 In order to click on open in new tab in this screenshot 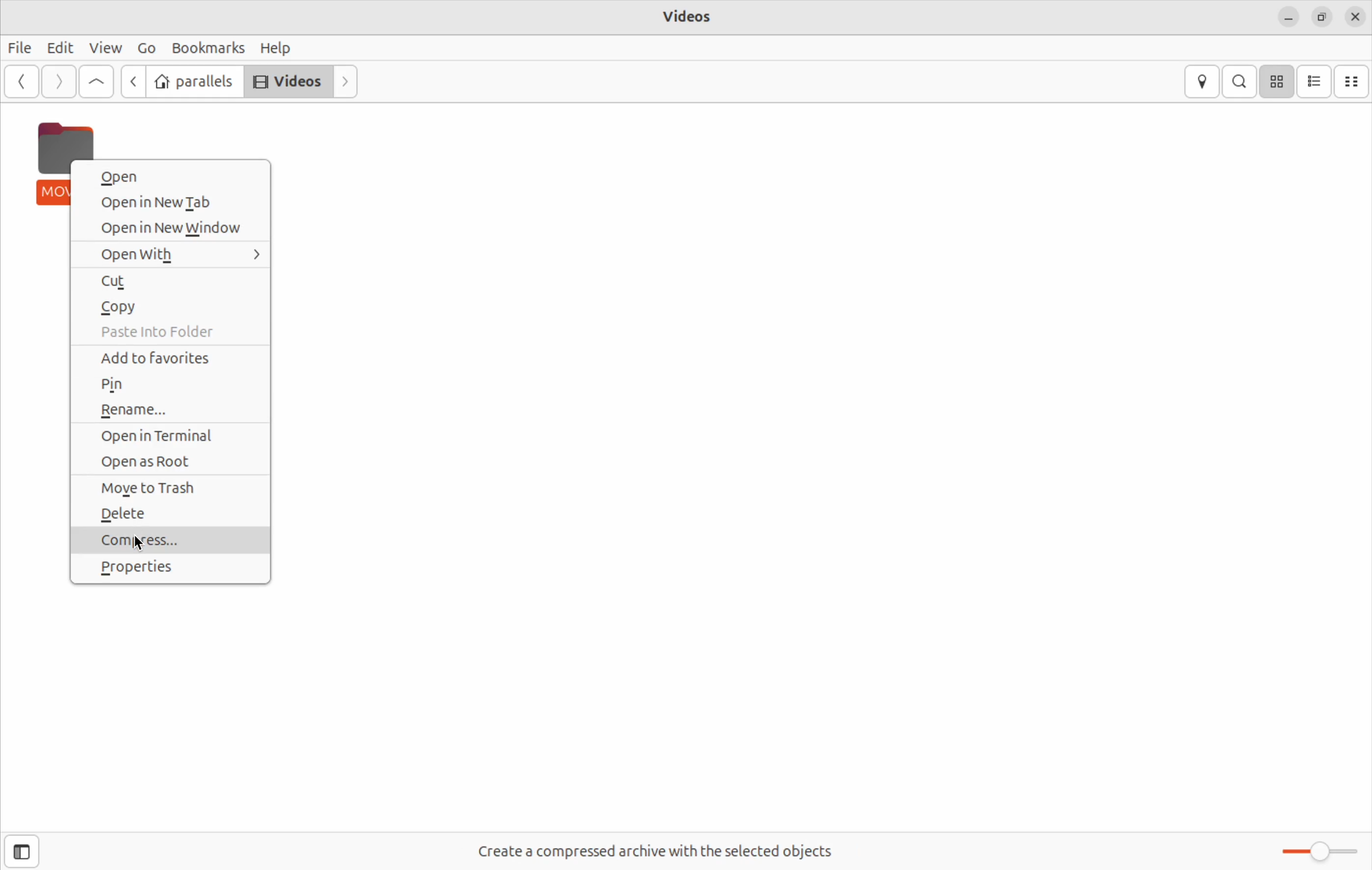, I will do `click(176, 201)`.